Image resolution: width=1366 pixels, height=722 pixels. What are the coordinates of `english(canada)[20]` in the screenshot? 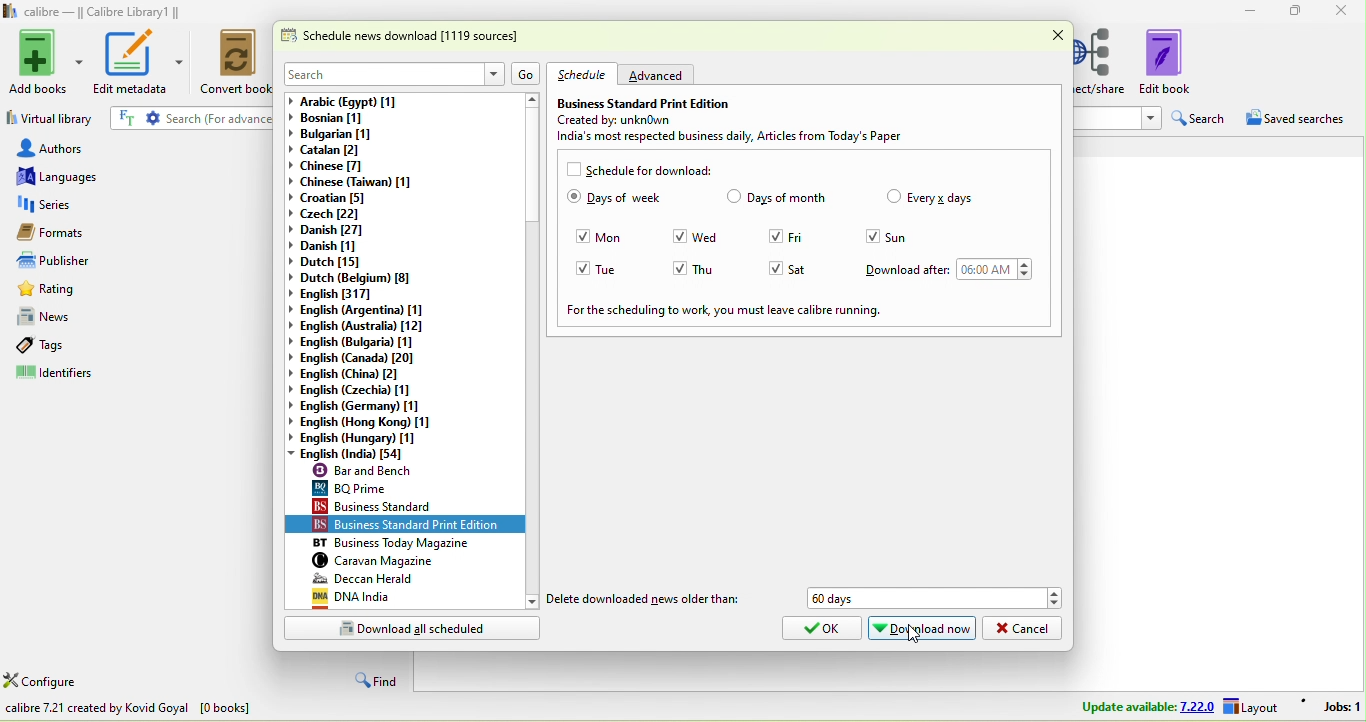 It's located at (360, 358).